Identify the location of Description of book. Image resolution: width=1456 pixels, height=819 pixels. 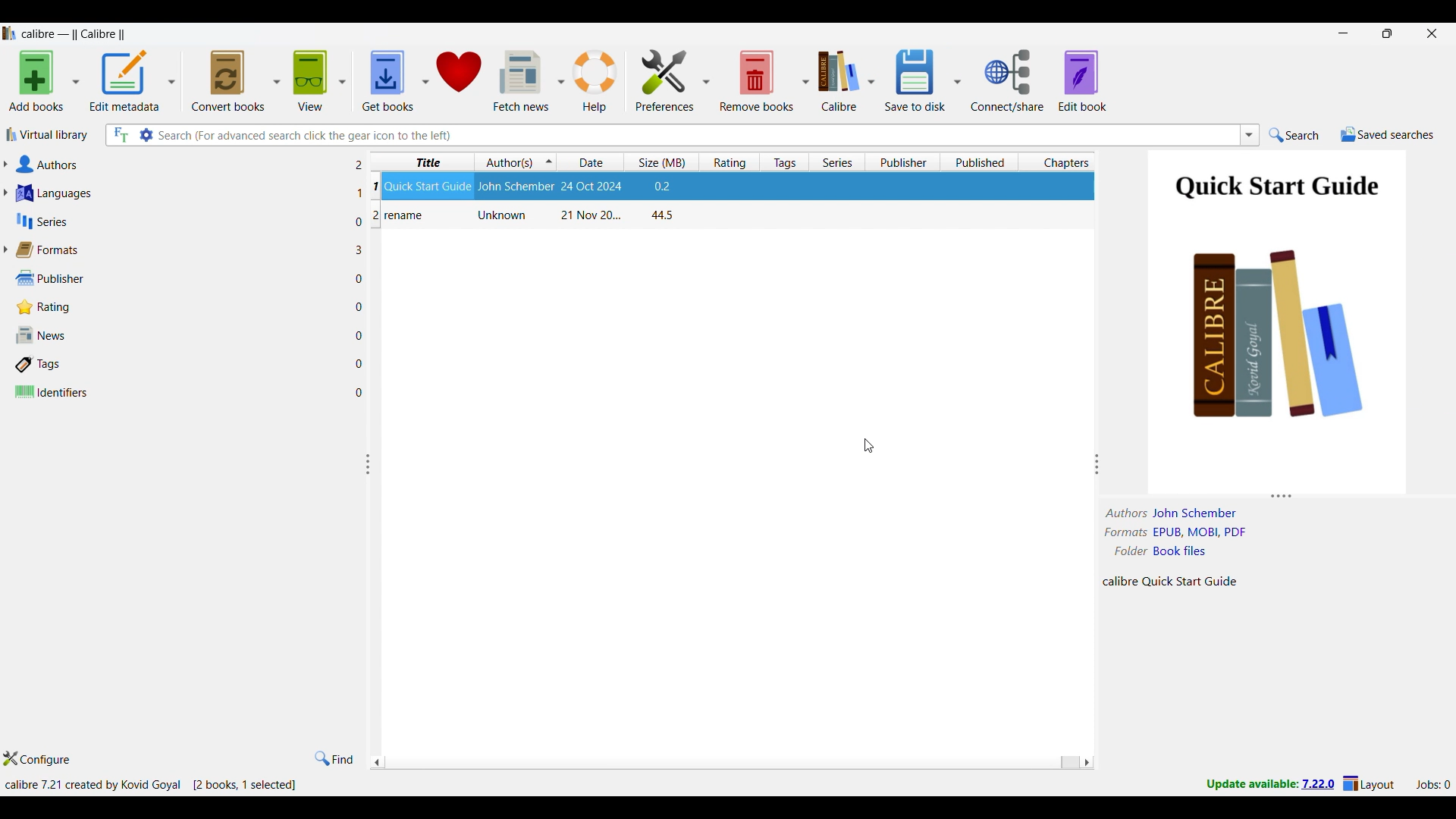
(1184, 581).